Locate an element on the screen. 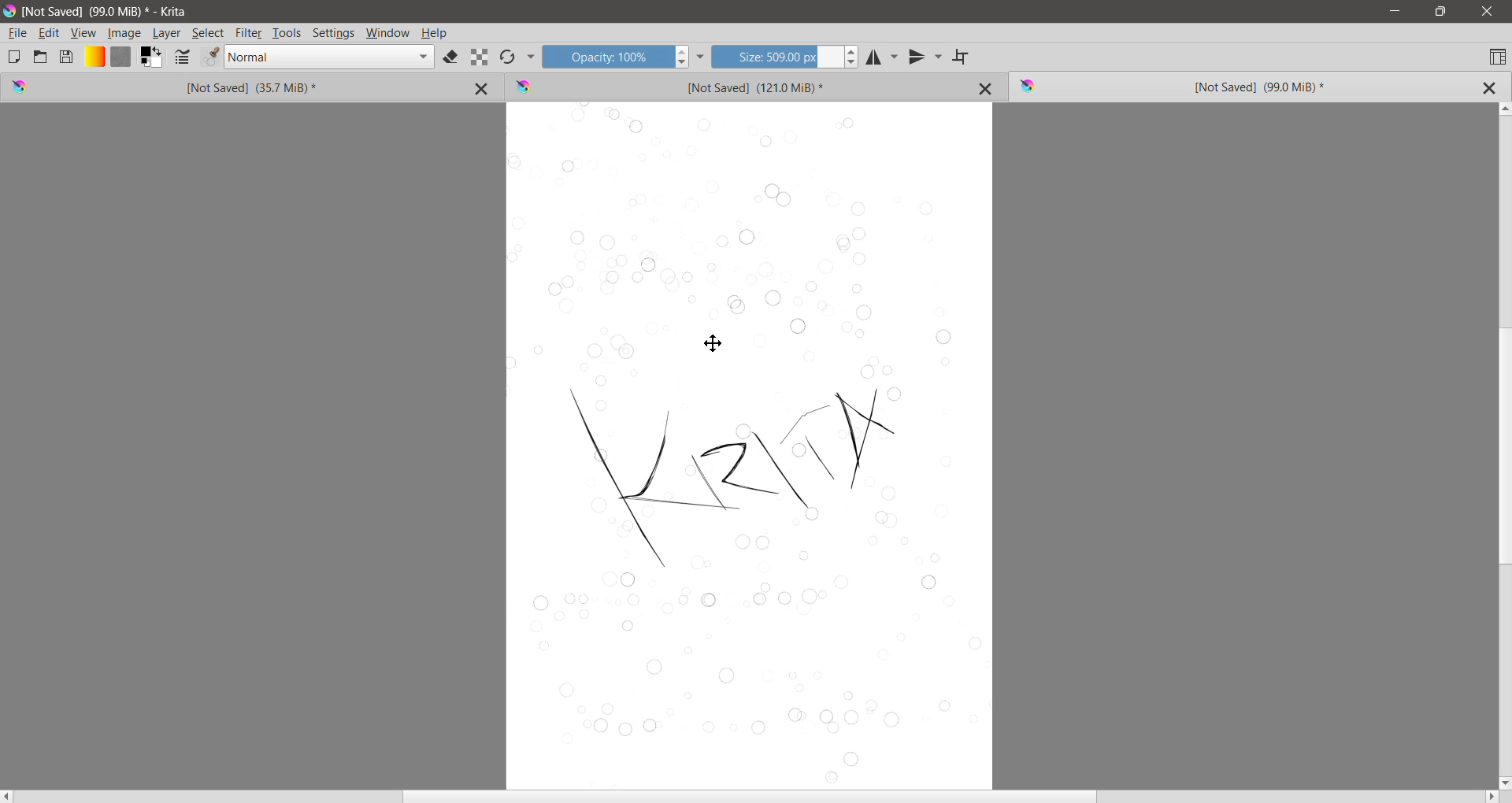 Image resolution: width=1512 pixels, height=803 pixels. Wrap Around Mode is located at coordinates (962, 57).